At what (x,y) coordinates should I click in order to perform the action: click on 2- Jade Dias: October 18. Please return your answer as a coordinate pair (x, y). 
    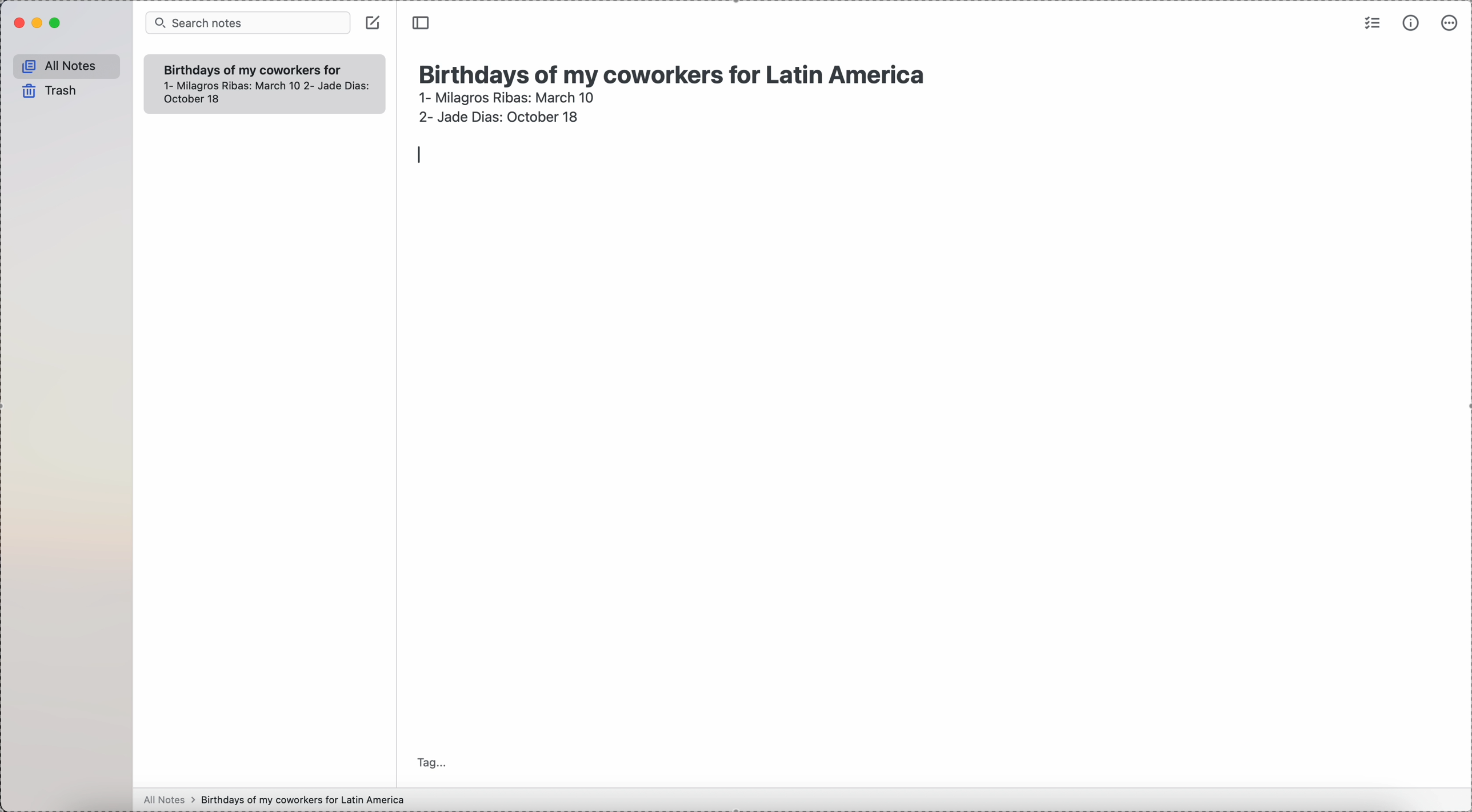
    Looking at the image, I should click on (497, 115).